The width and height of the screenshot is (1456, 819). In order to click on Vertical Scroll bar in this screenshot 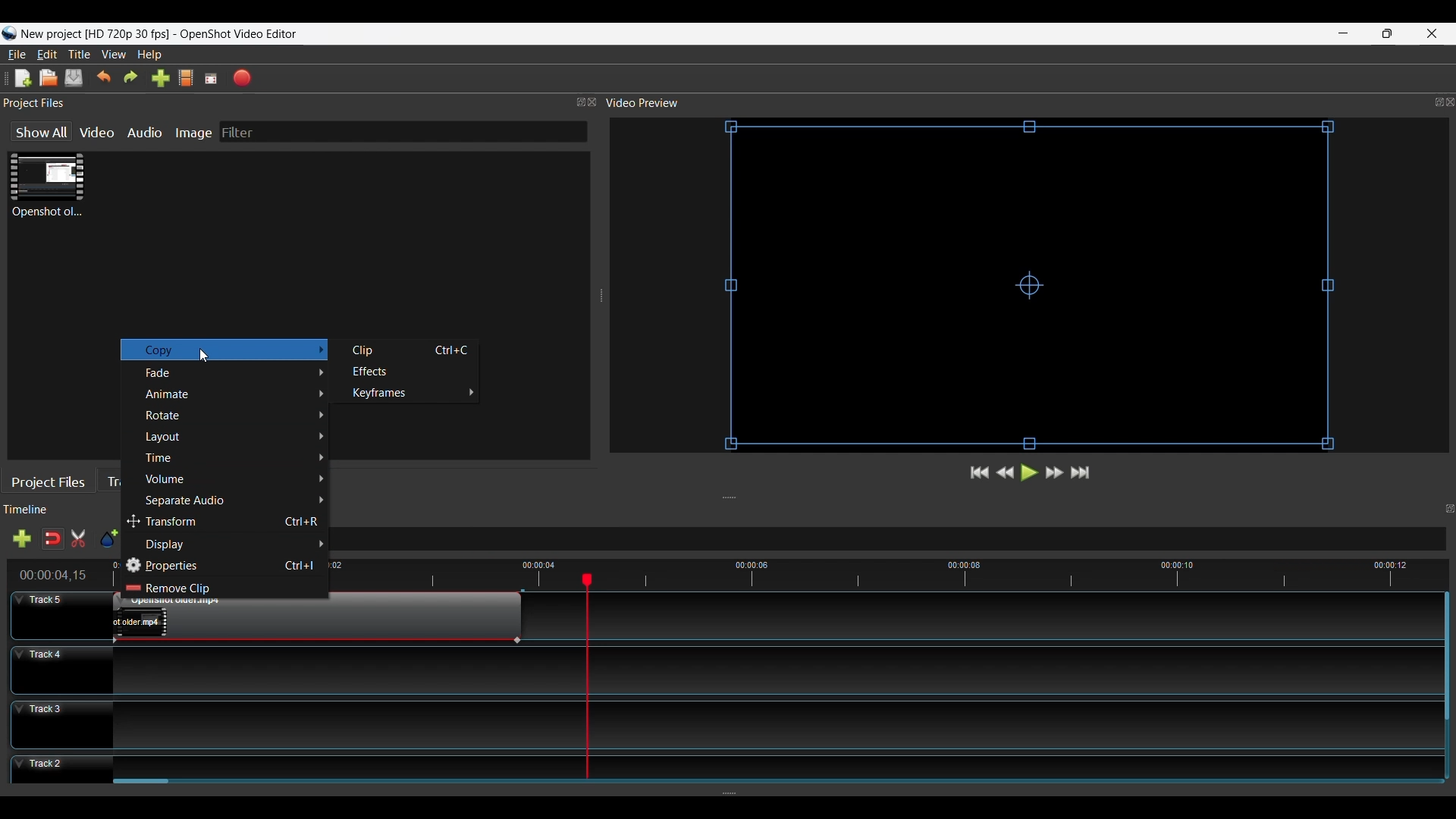, I will do `click(143, 783)`.